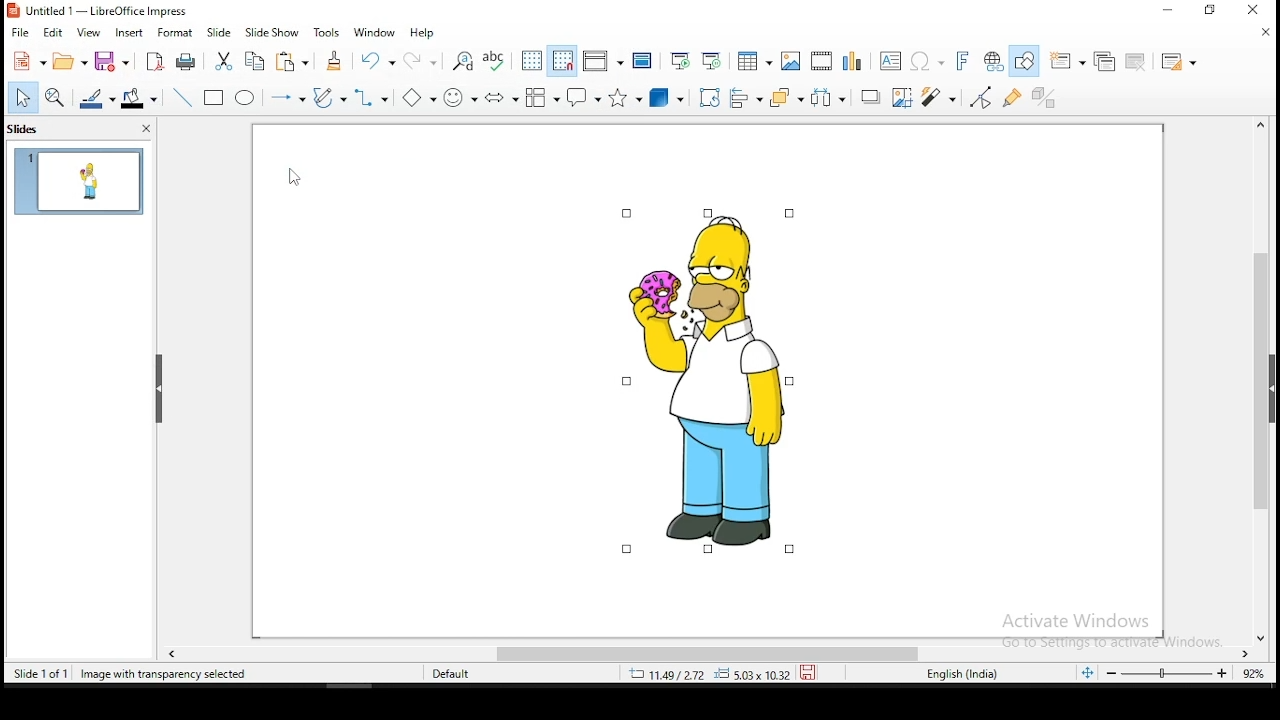 The image size is (1280, 720). What do you see at coordinates (790, 61) in the screenshot?
I see `image` at bounding box center [790, 61].